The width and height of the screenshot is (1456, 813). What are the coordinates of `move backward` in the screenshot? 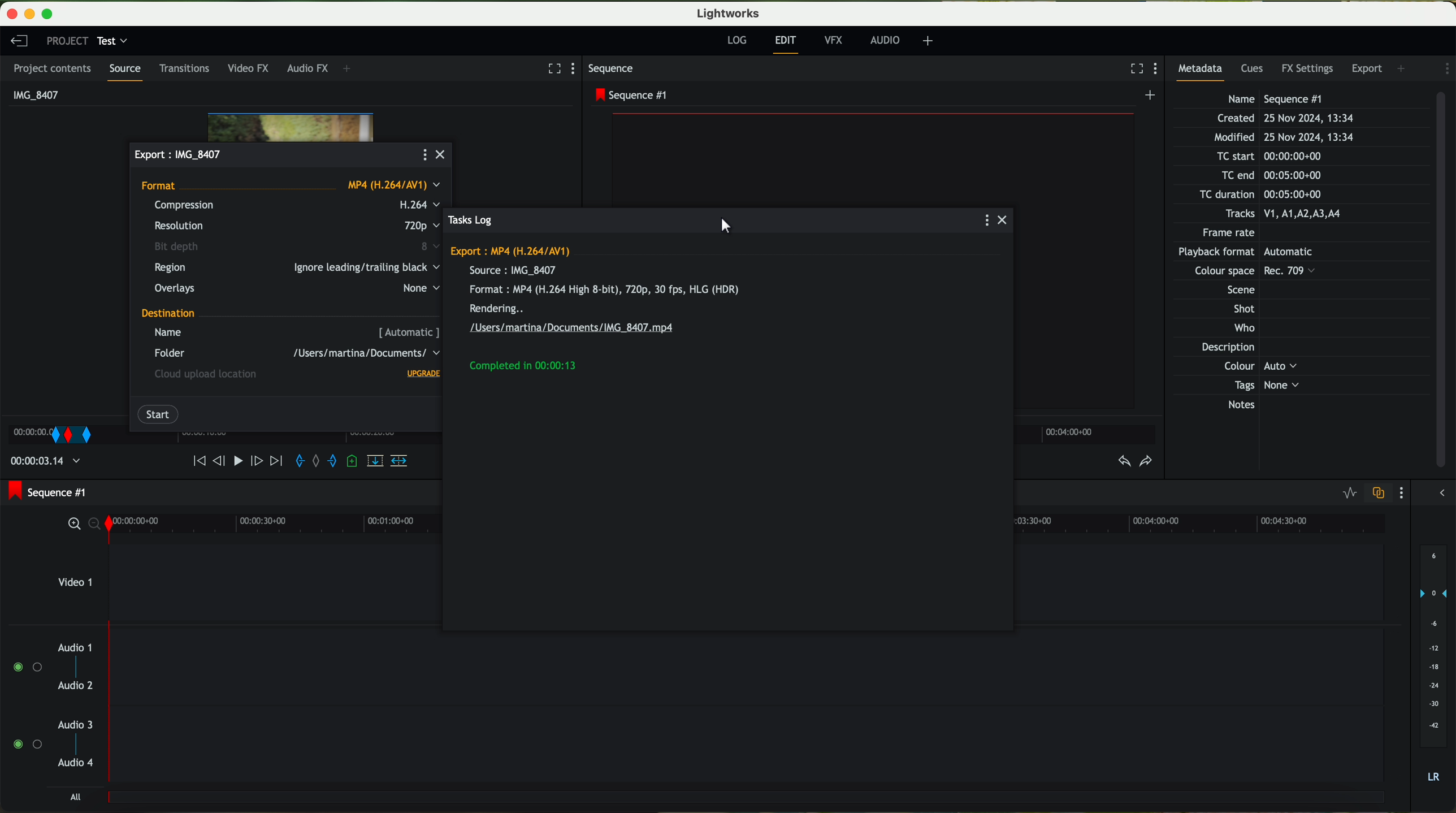 It's located at (193, 461).